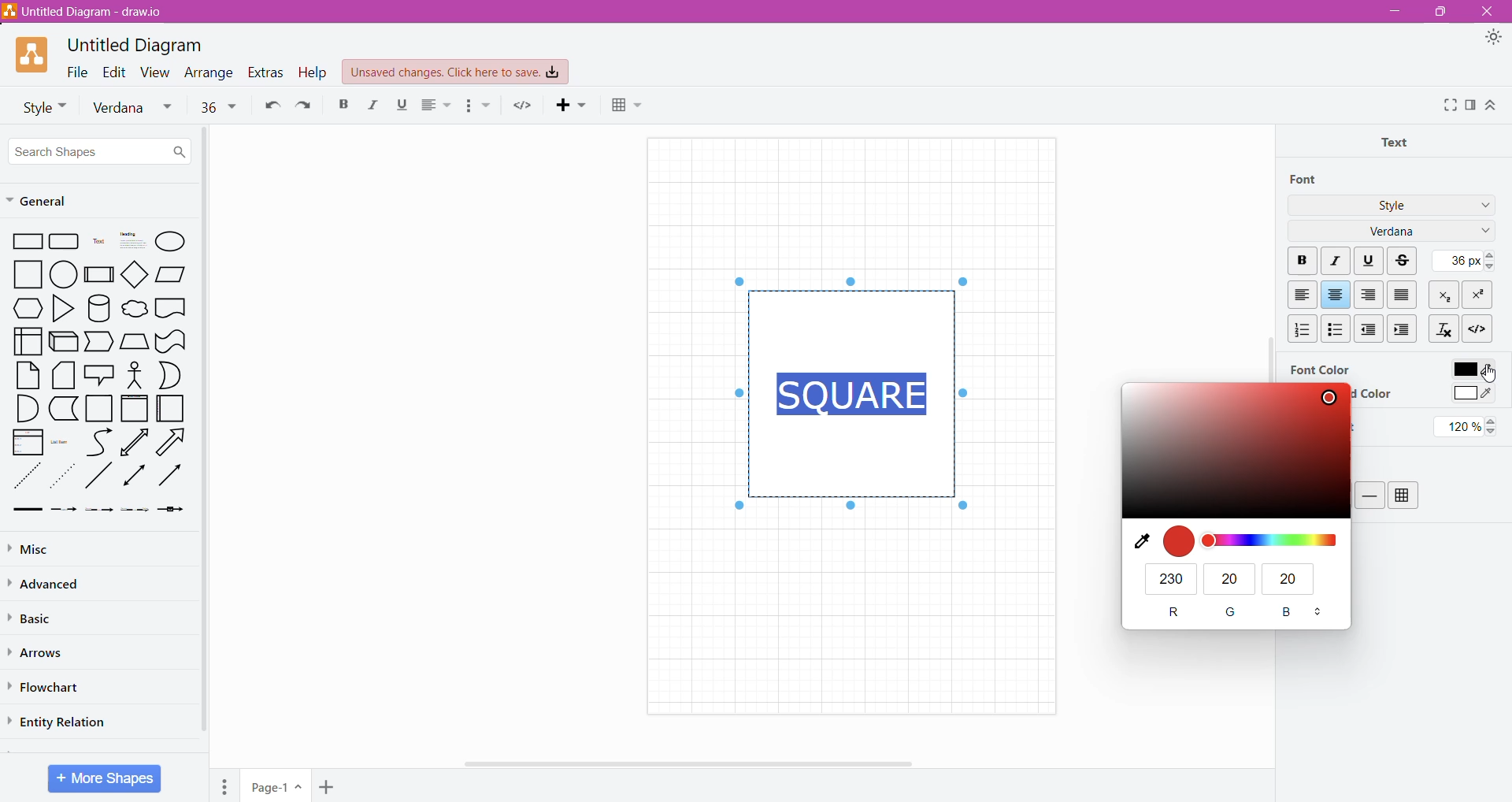  I want to click on Untitled Diagram, so click(139, 45).